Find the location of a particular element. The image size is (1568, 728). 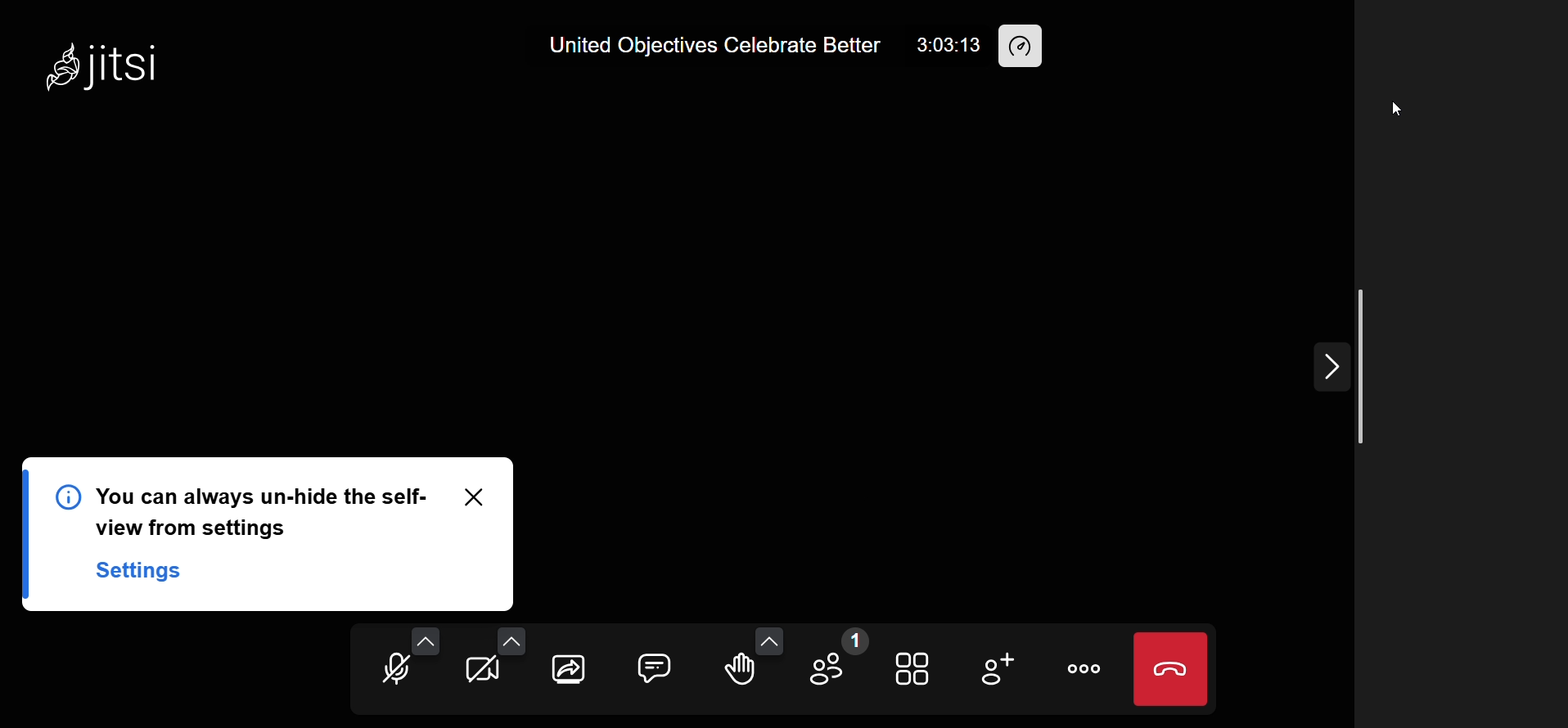

raise hand is located at coordinates (736, 670).